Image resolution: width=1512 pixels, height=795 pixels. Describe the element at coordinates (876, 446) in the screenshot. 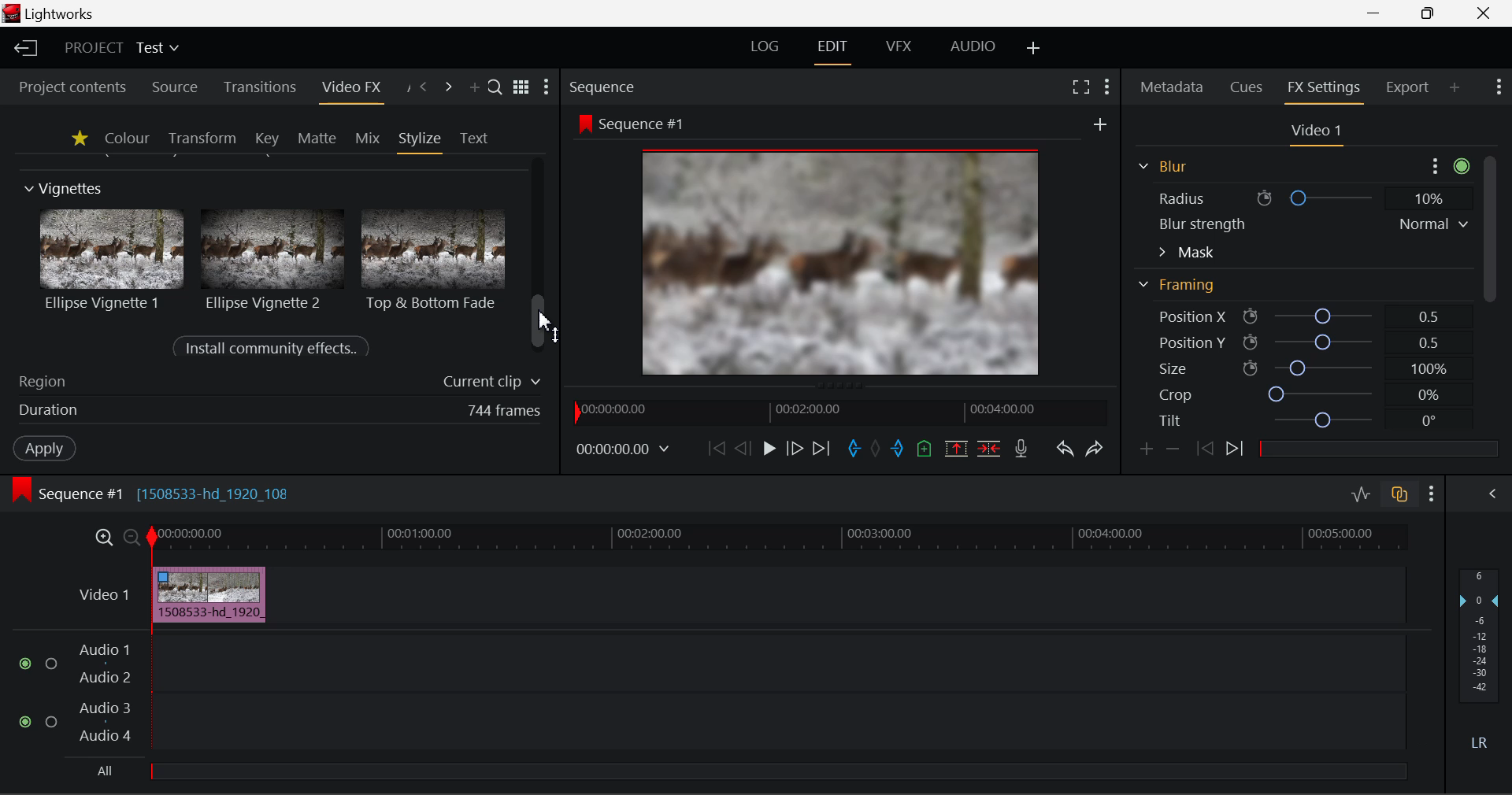

I see `Remove all marks` at that location.